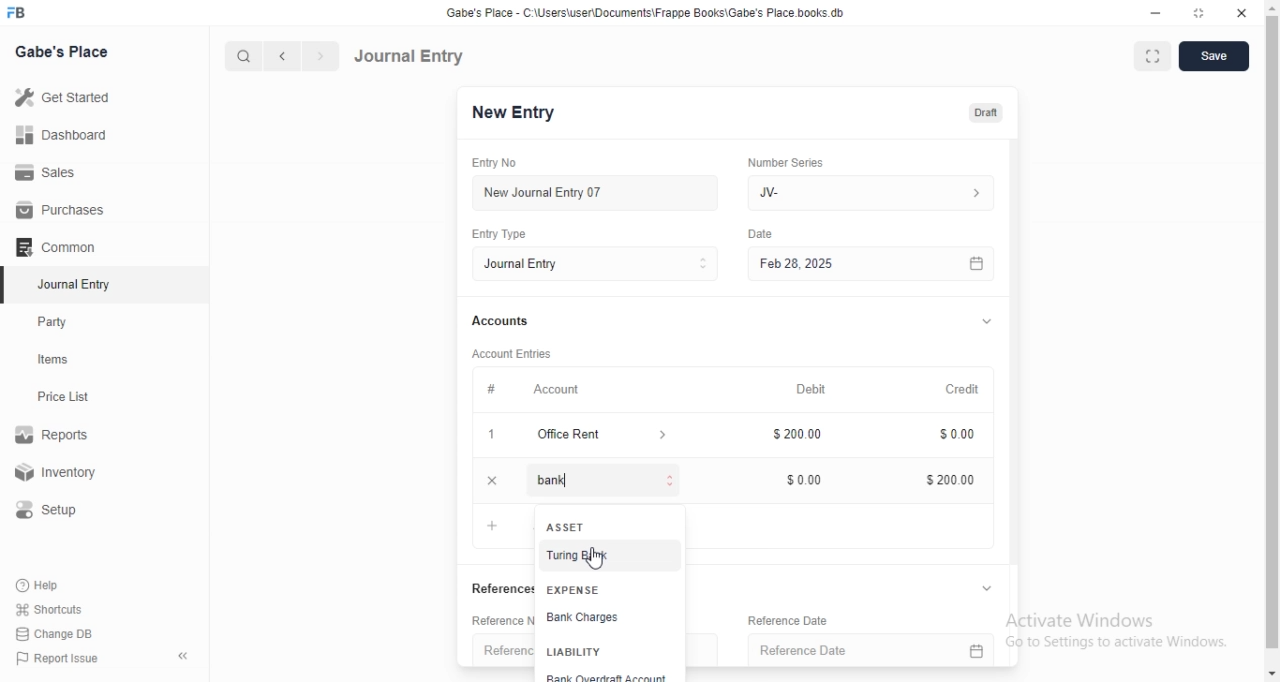  What do you see at coordinates (538, 390) in the screenshot?
I see `# Account` at bounding box center [538, 390].